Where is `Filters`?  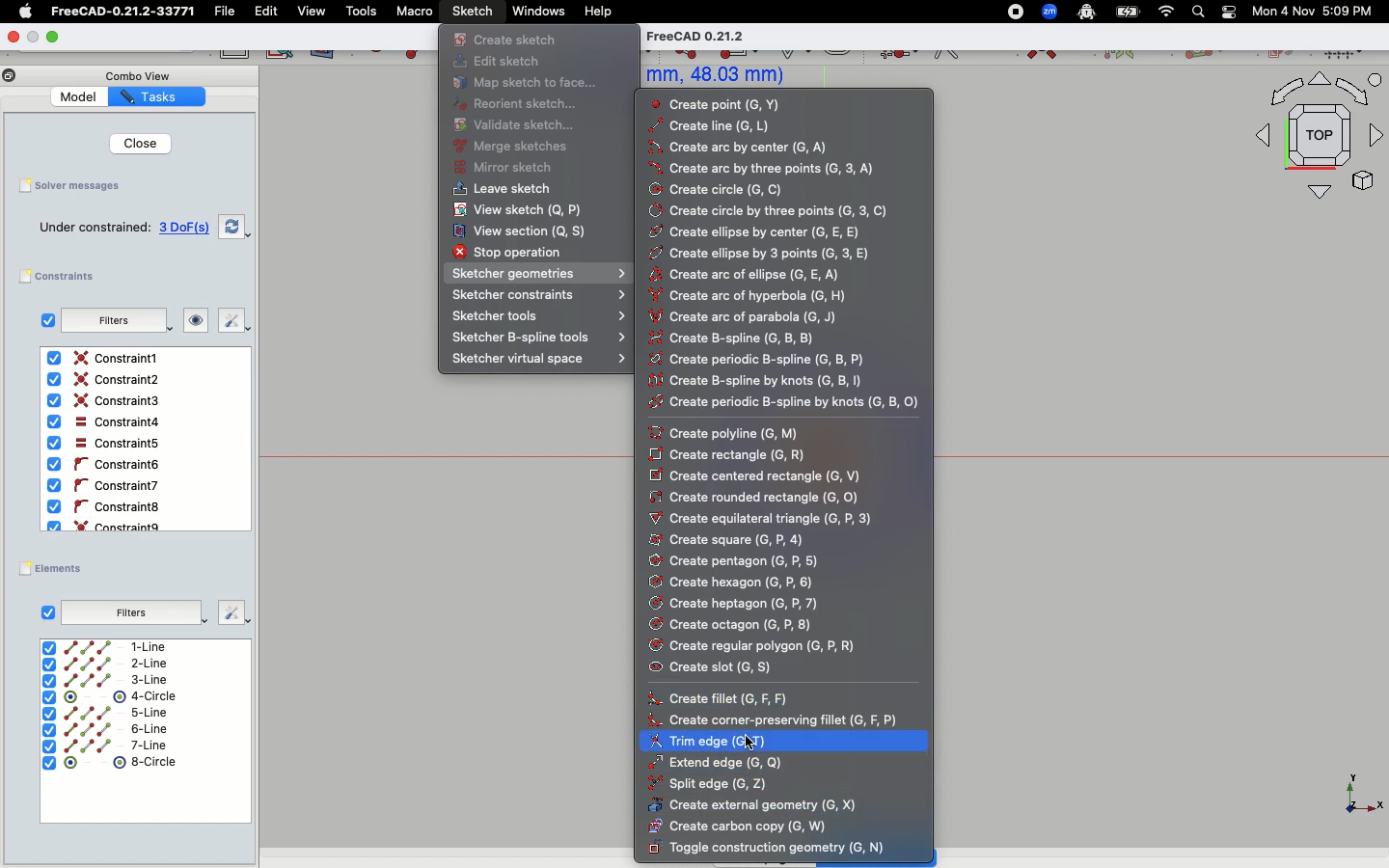 Filters is located at coordinates (114, 320).